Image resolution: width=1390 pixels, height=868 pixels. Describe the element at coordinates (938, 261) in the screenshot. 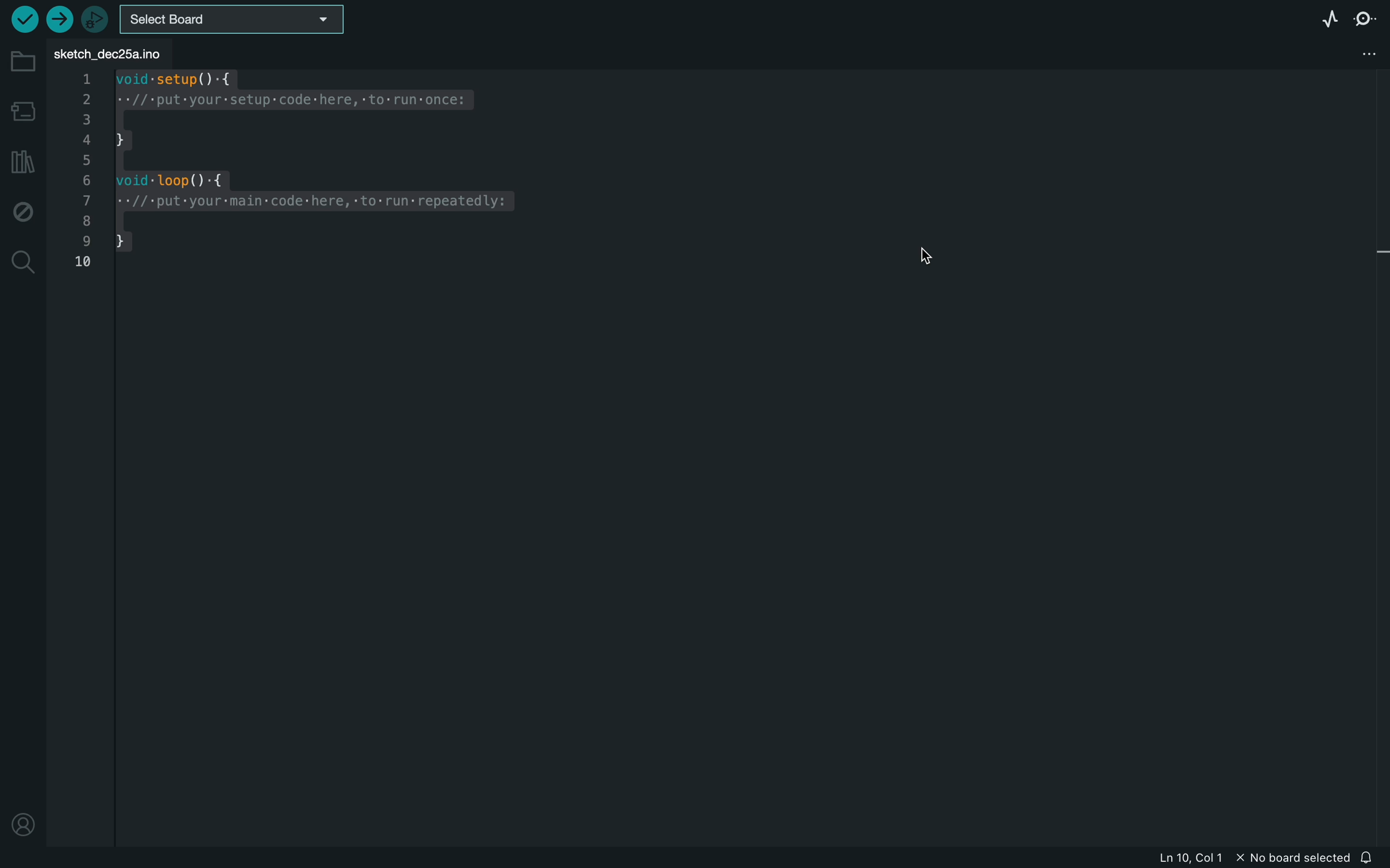

I see `cursor` at that location.